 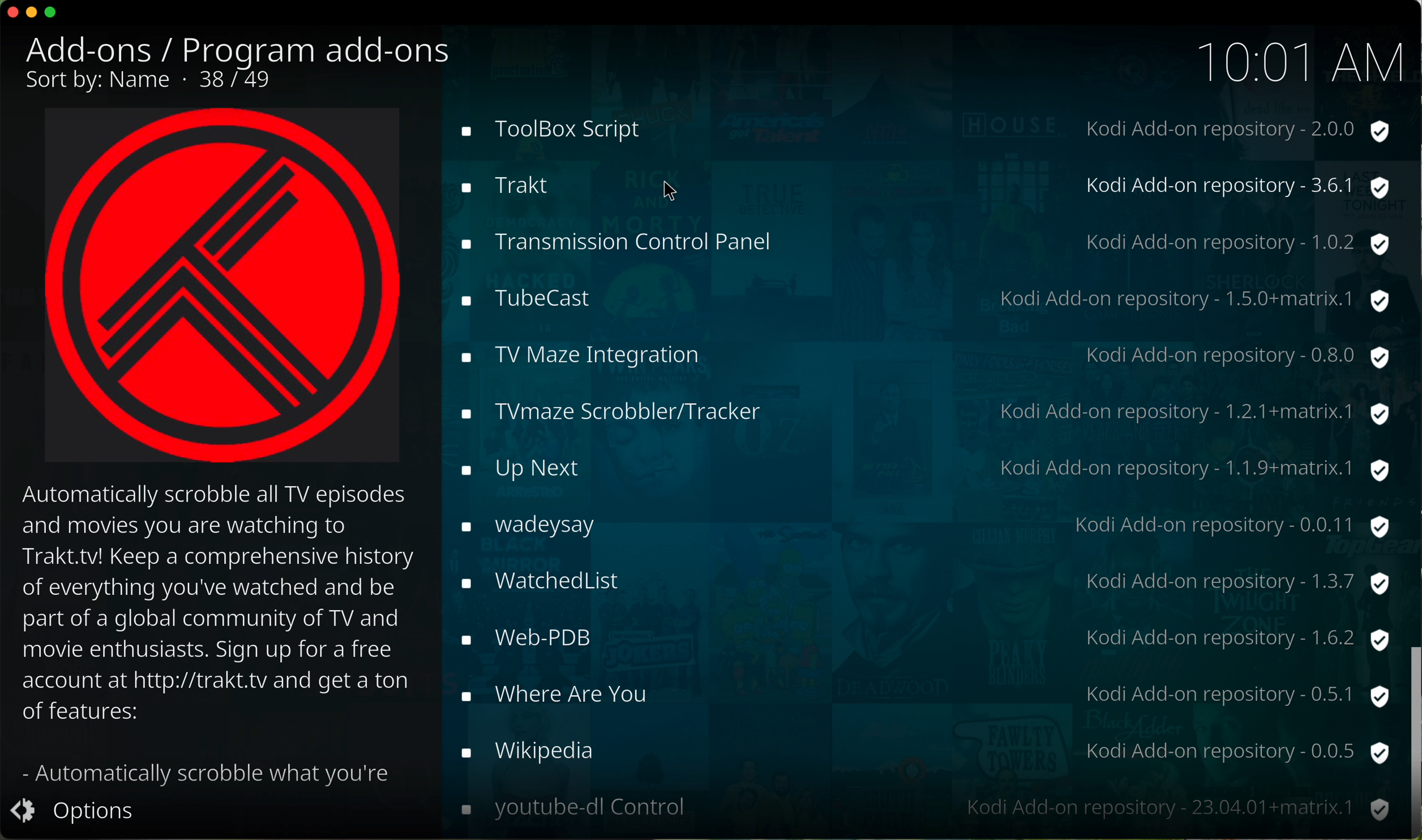 What do you see at coordinates (52, 14) in the screenshot?
I see `maximize` at bounding box center [52, 14].